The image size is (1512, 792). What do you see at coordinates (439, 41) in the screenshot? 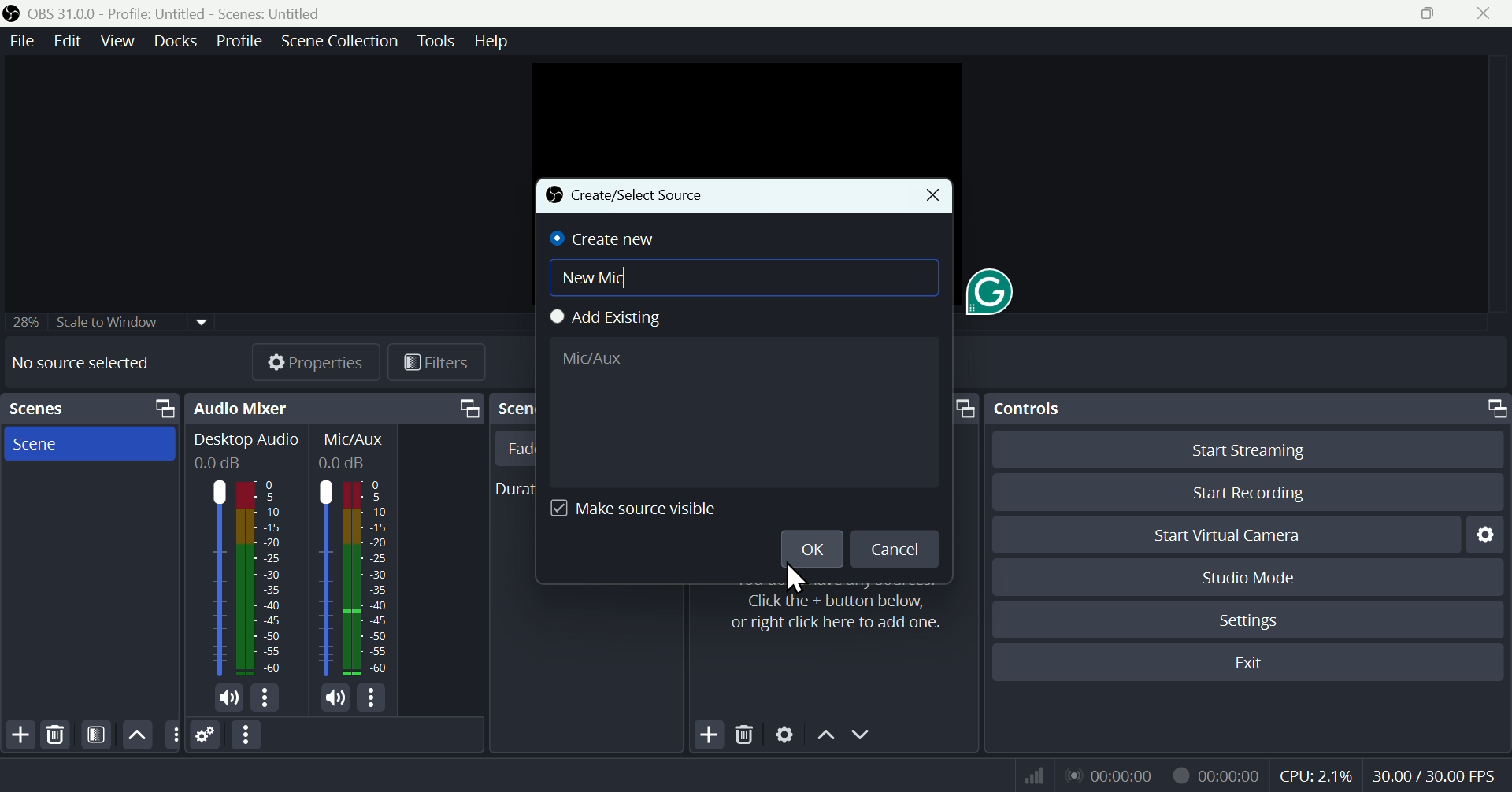
I see `Tools` at bounding box center [439, 41].